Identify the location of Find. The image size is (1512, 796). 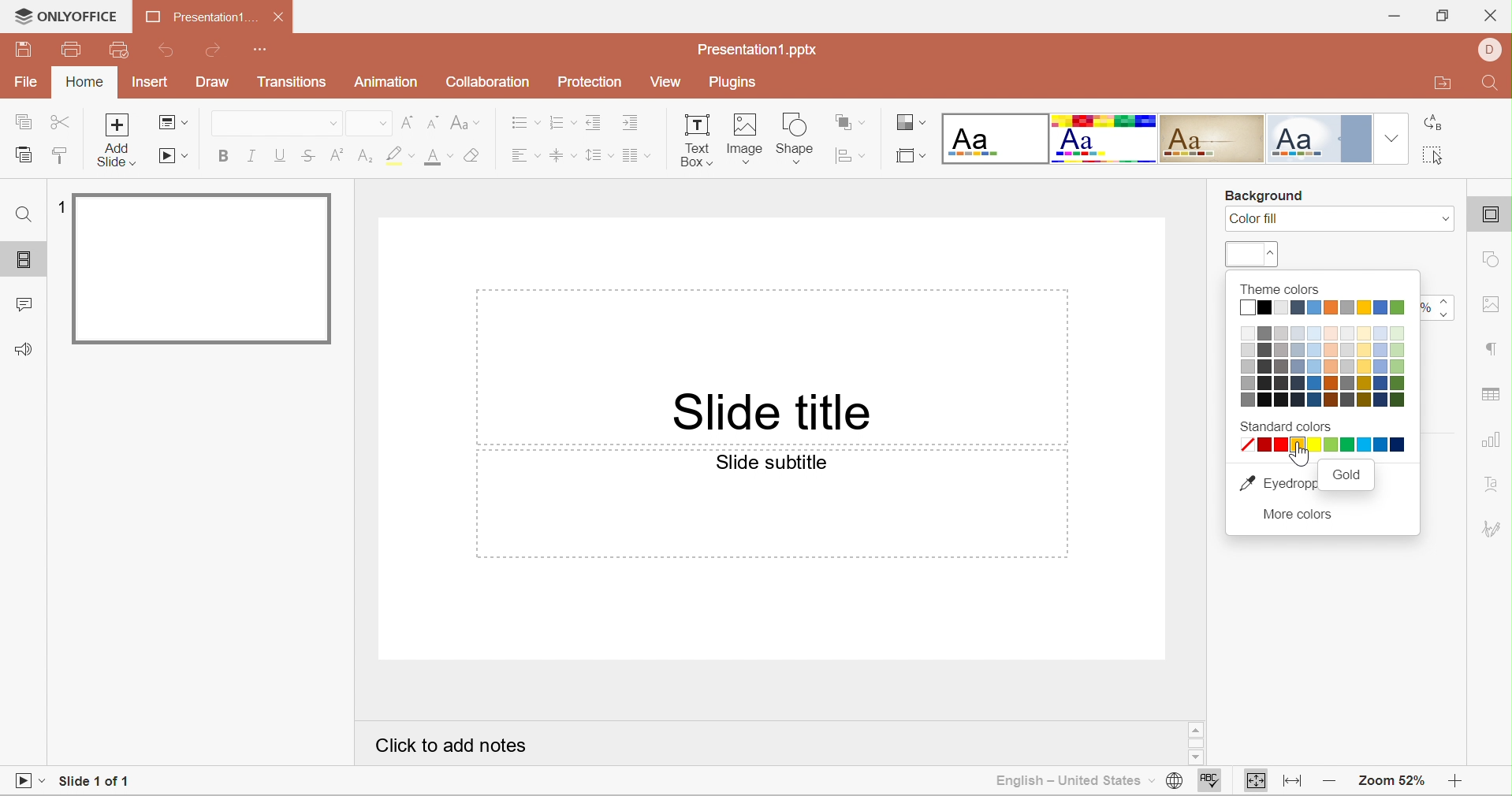
(24, 215).